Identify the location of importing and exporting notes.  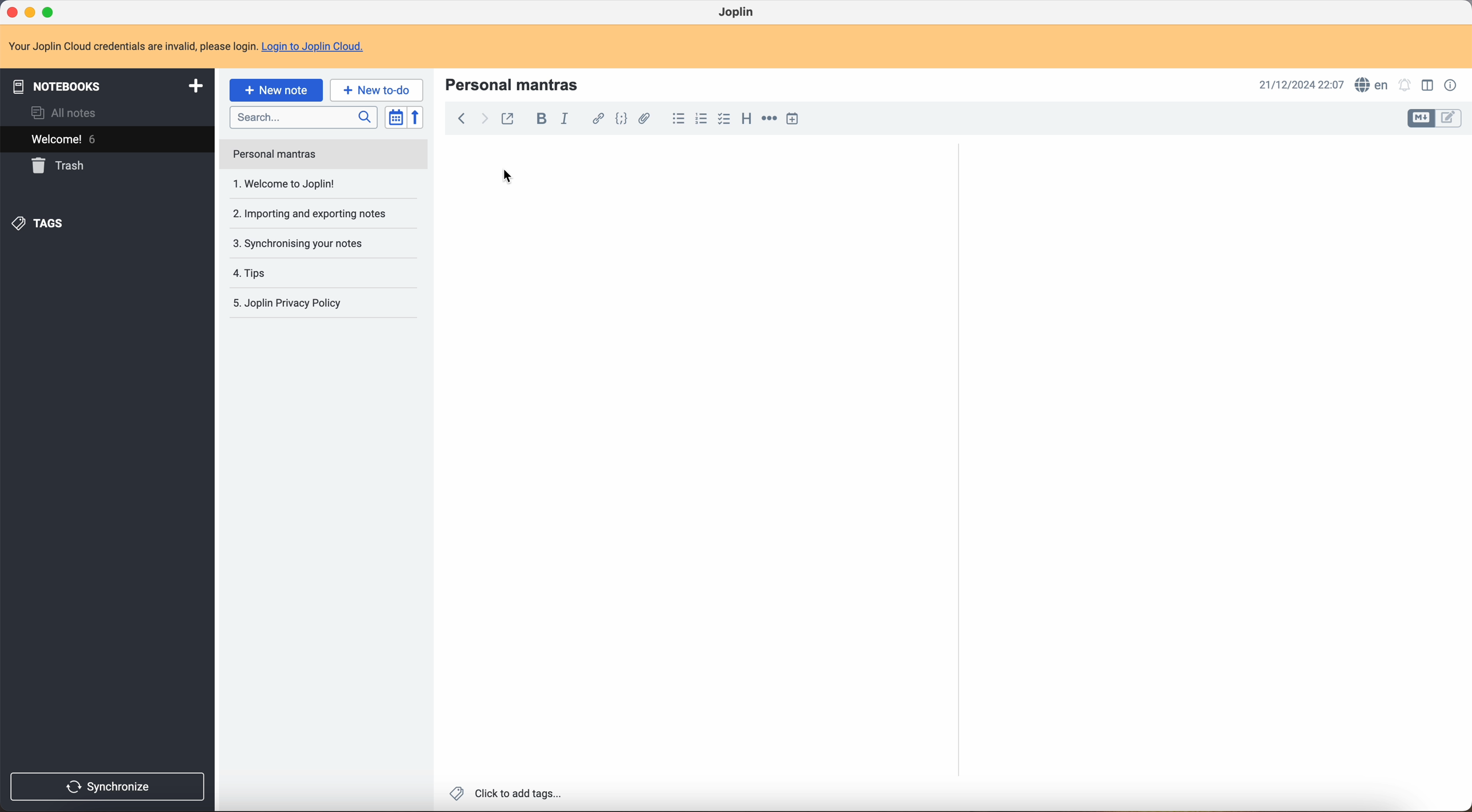
(309, 183).